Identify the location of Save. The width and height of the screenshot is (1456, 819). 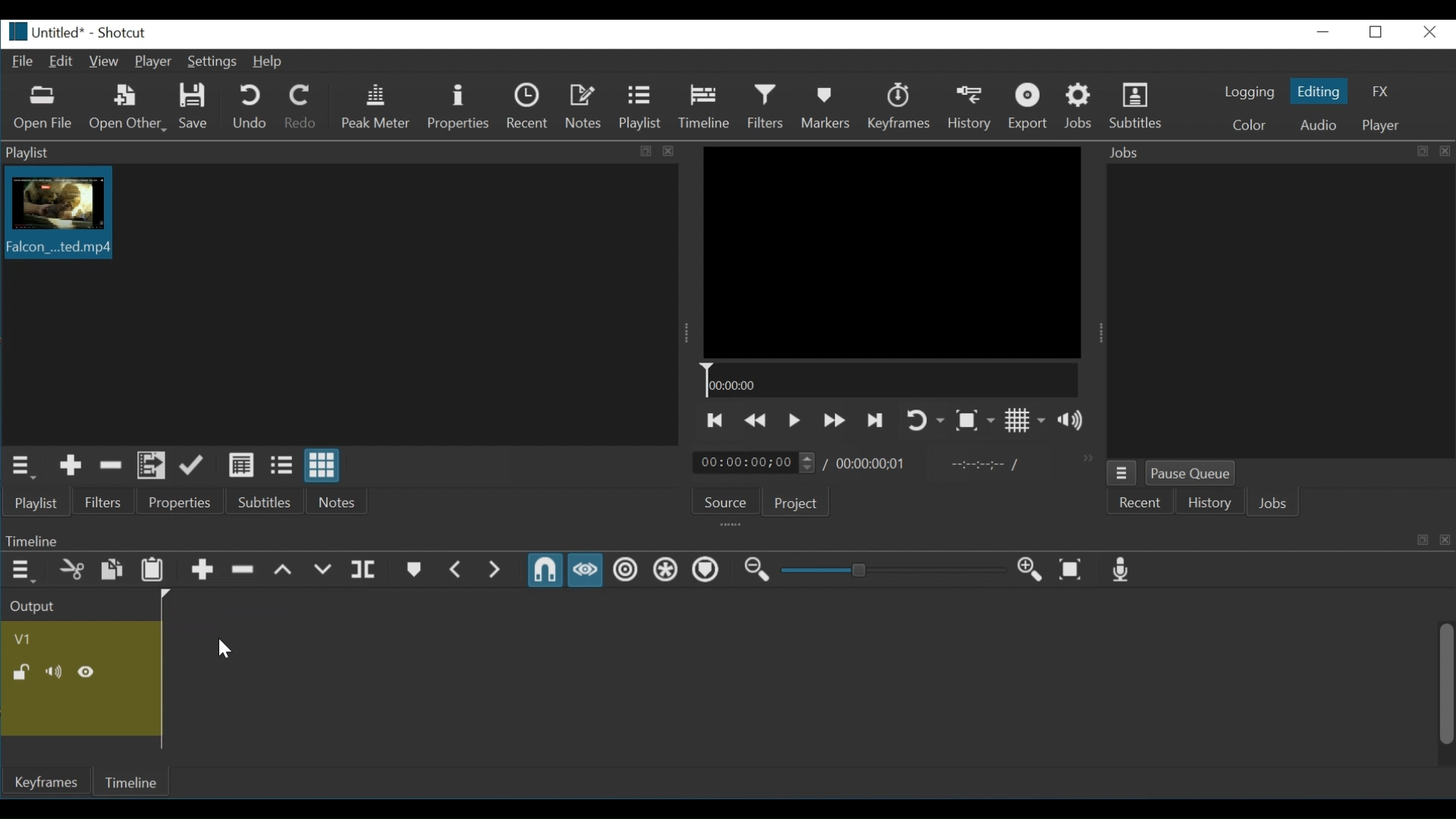
(195, 107).